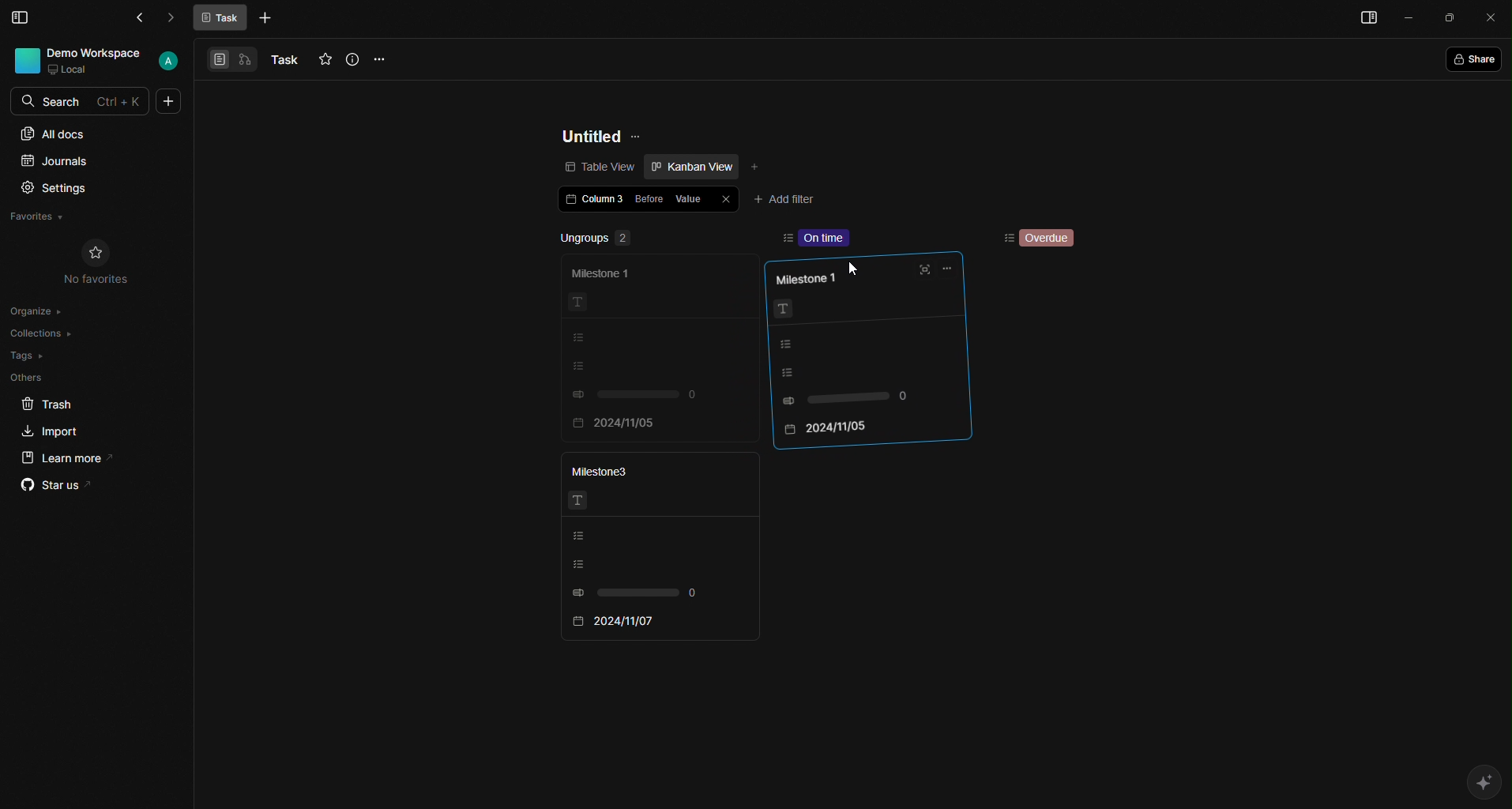  Describe the element at coordinates (21, 16) in the screenshot. I see `Menu Bar` at that location.